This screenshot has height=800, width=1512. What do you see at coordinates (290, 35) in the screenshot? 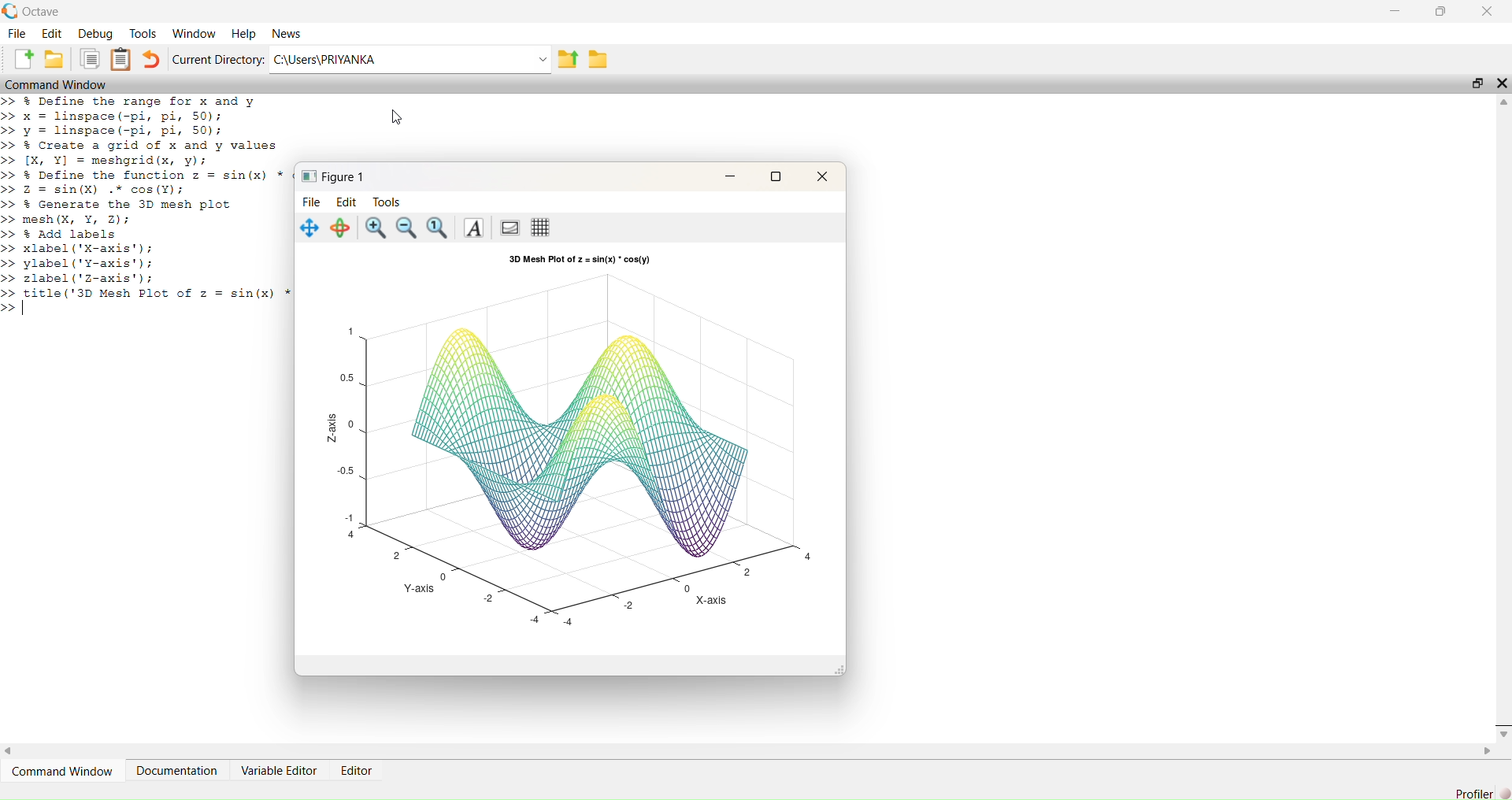
I see `News` at bounding box center [290, 35].